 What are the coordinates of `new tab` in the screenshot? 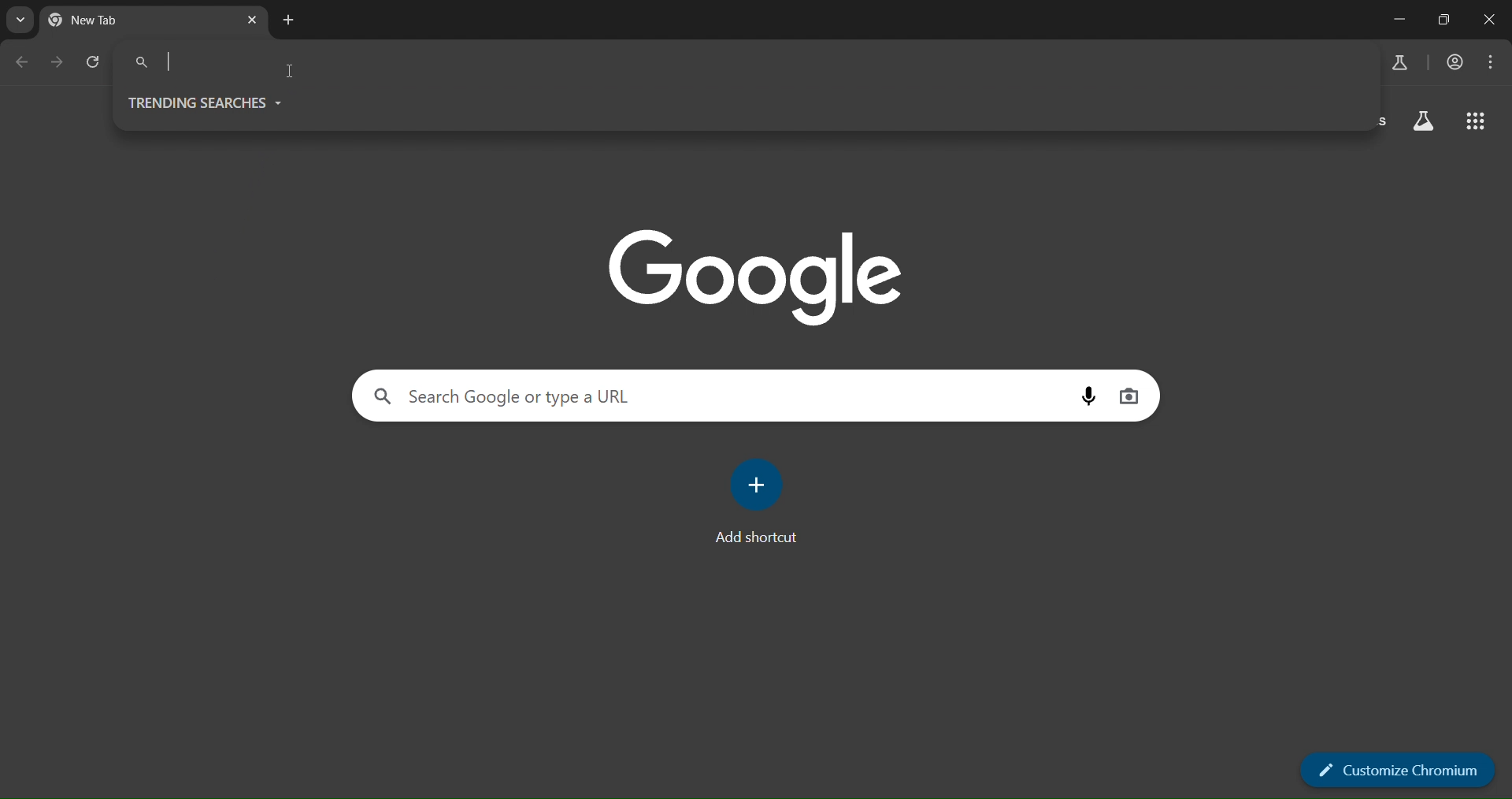 It's located at (291, 20).